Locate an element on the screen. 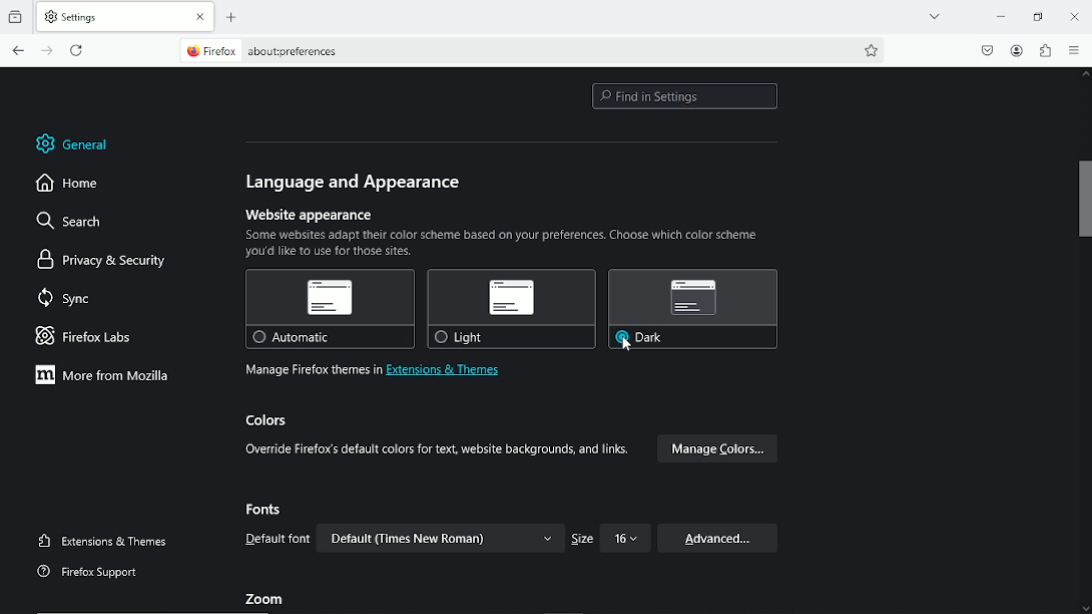 The width and height of the screenshot is (1092, 614). cursor is located at coordinates (625, 343).